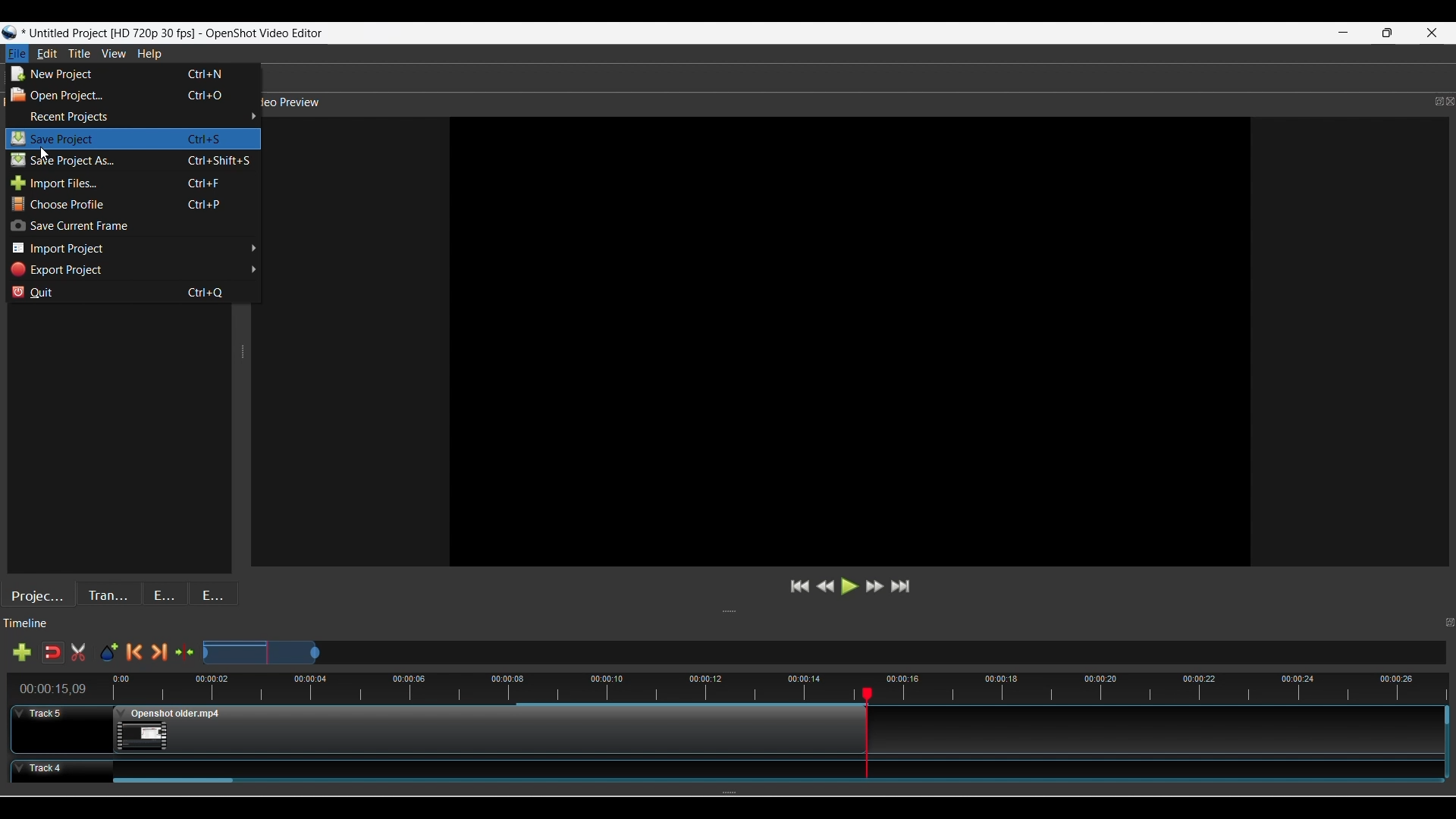 The height and width of the screenshot is (819, 1456). I want to click on Title, so click(80, 54).